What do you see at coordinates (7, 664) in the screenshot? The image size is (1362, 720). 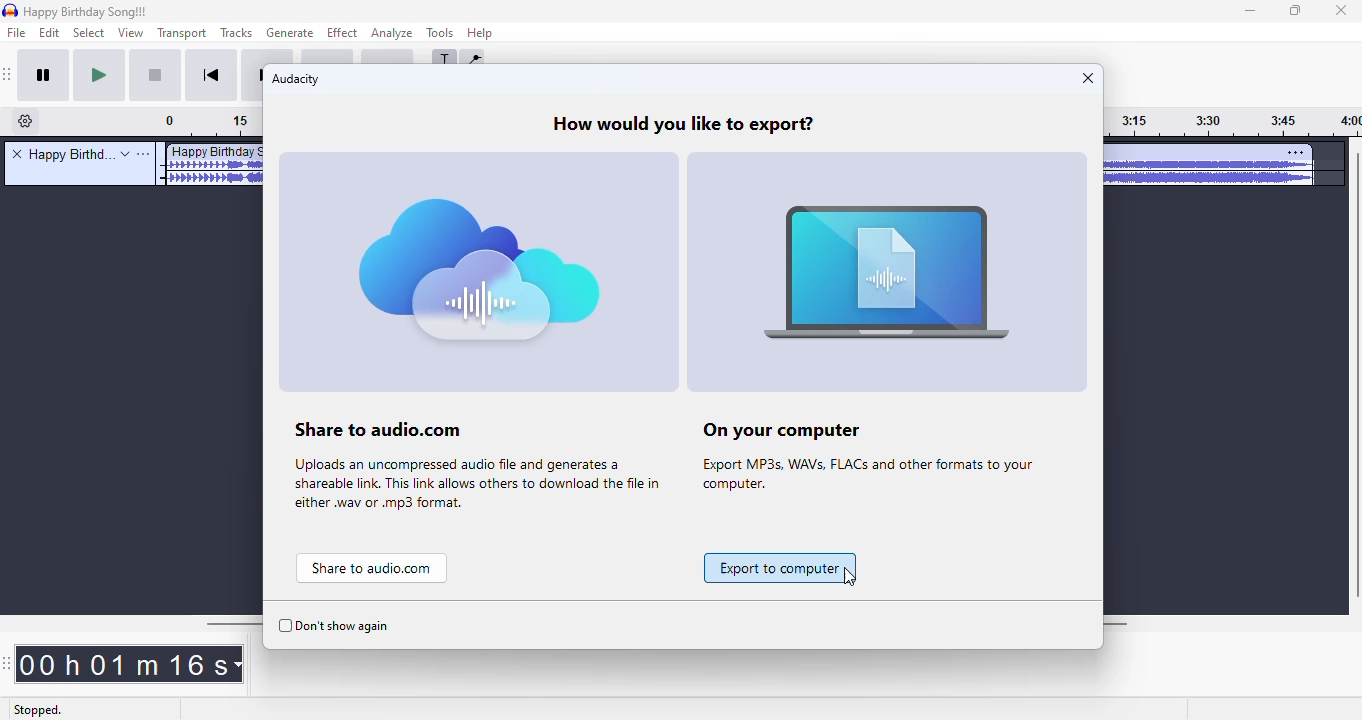 I see `audacity time toolbar` at bounding box center [7, 664].